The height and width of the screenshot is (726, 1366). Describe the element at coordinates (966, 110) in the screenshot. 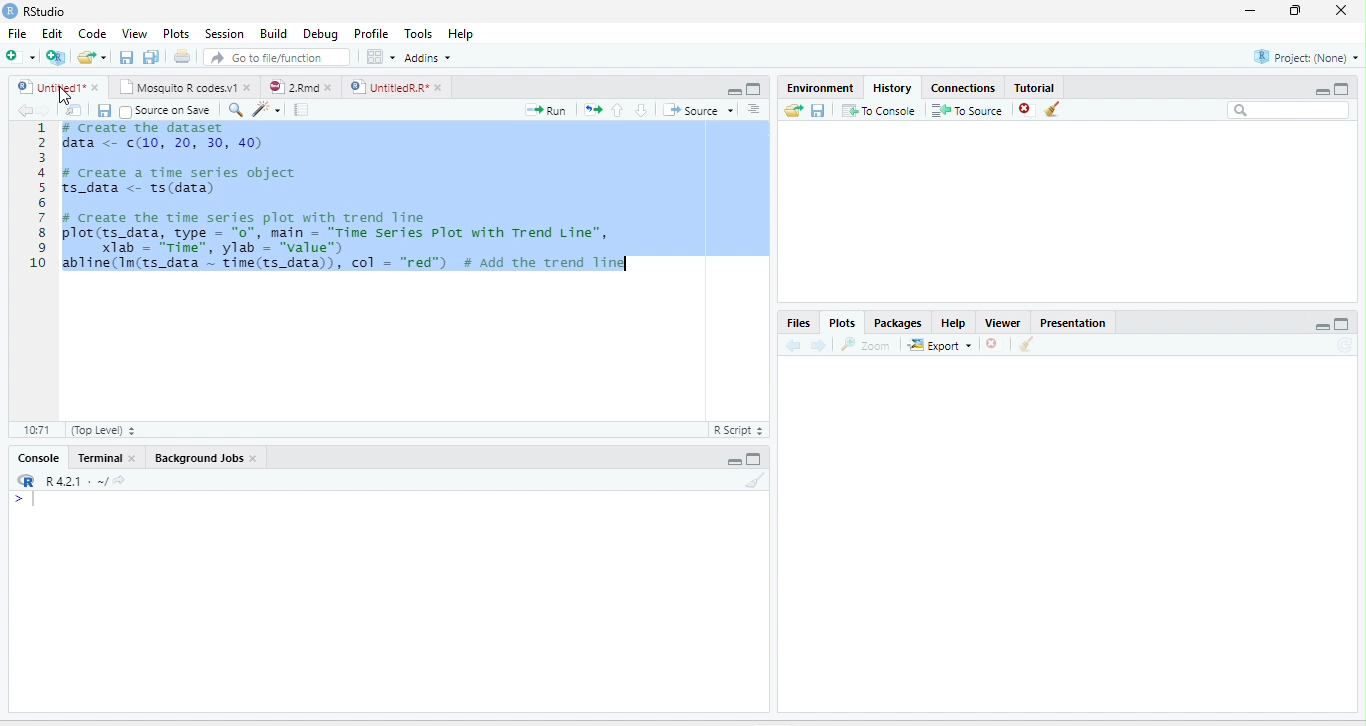

I see `To Source` at that location.